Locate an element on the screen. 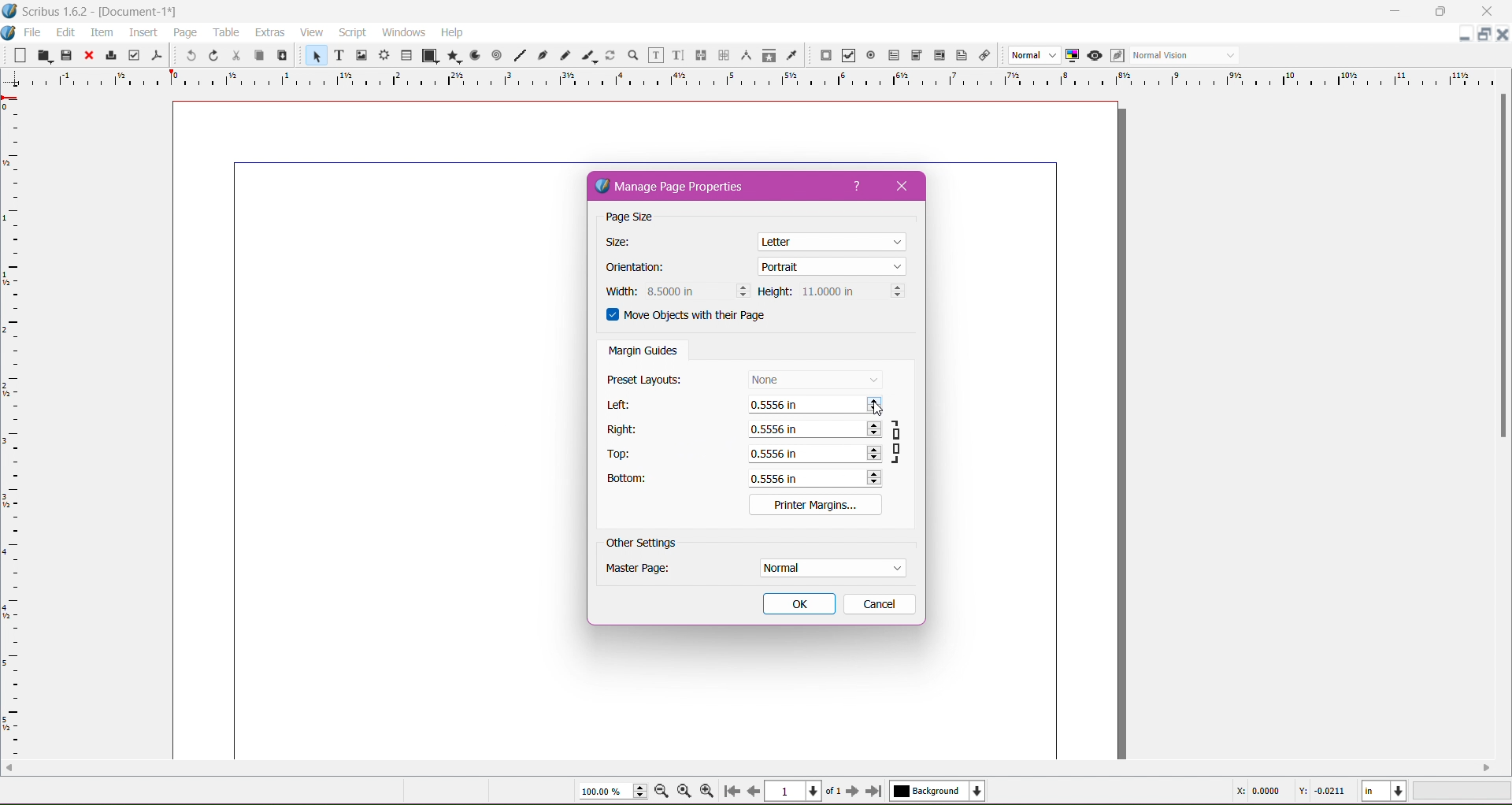  Extras is located at coordinates (269, 32).